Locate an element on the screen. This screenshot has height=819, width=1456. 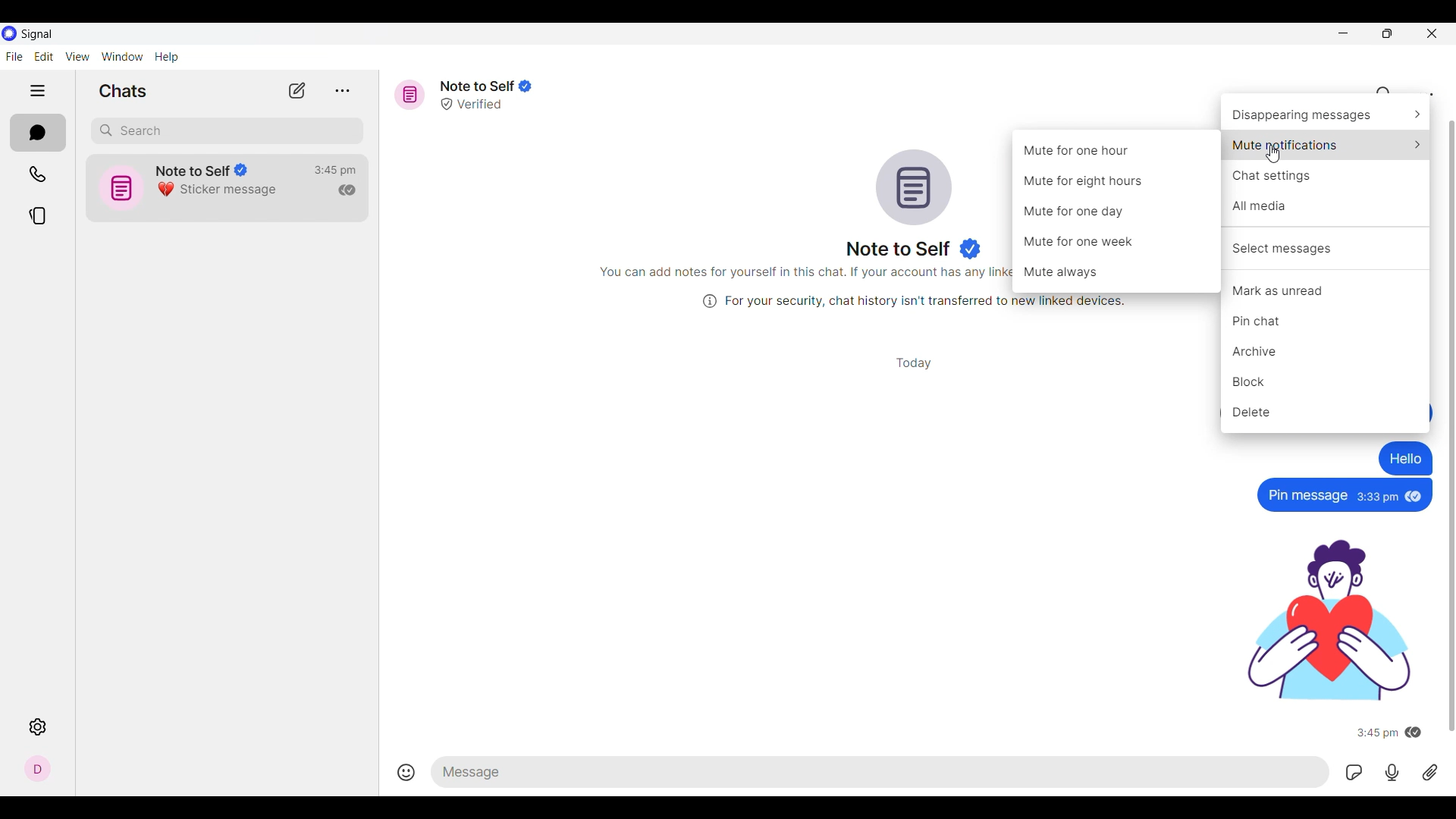
Disappearing message options is located at coordinates (1325, 115).